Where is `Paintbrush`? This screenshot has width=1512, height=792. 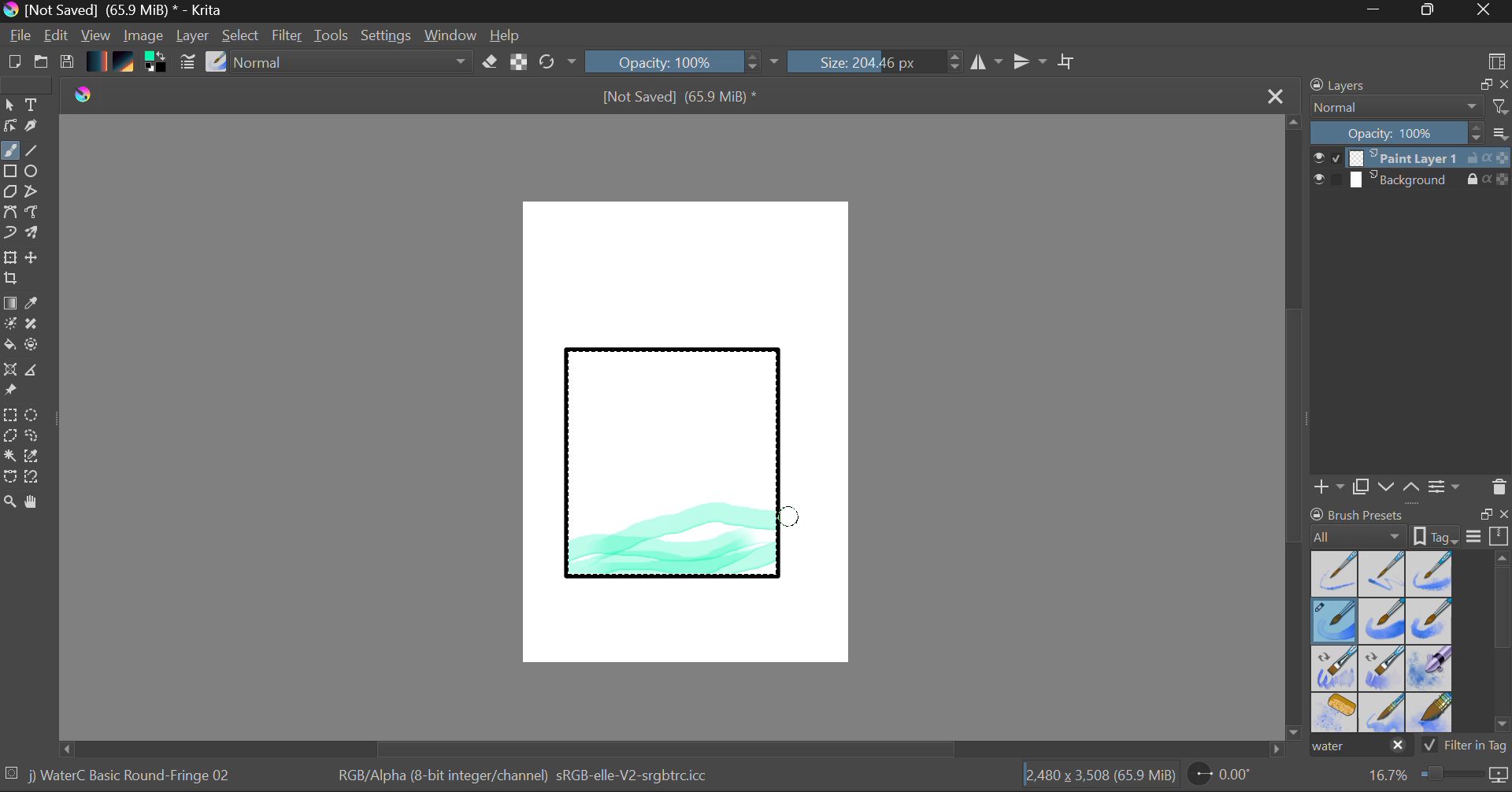
Paintbrush is located at coordinates (9, 152).